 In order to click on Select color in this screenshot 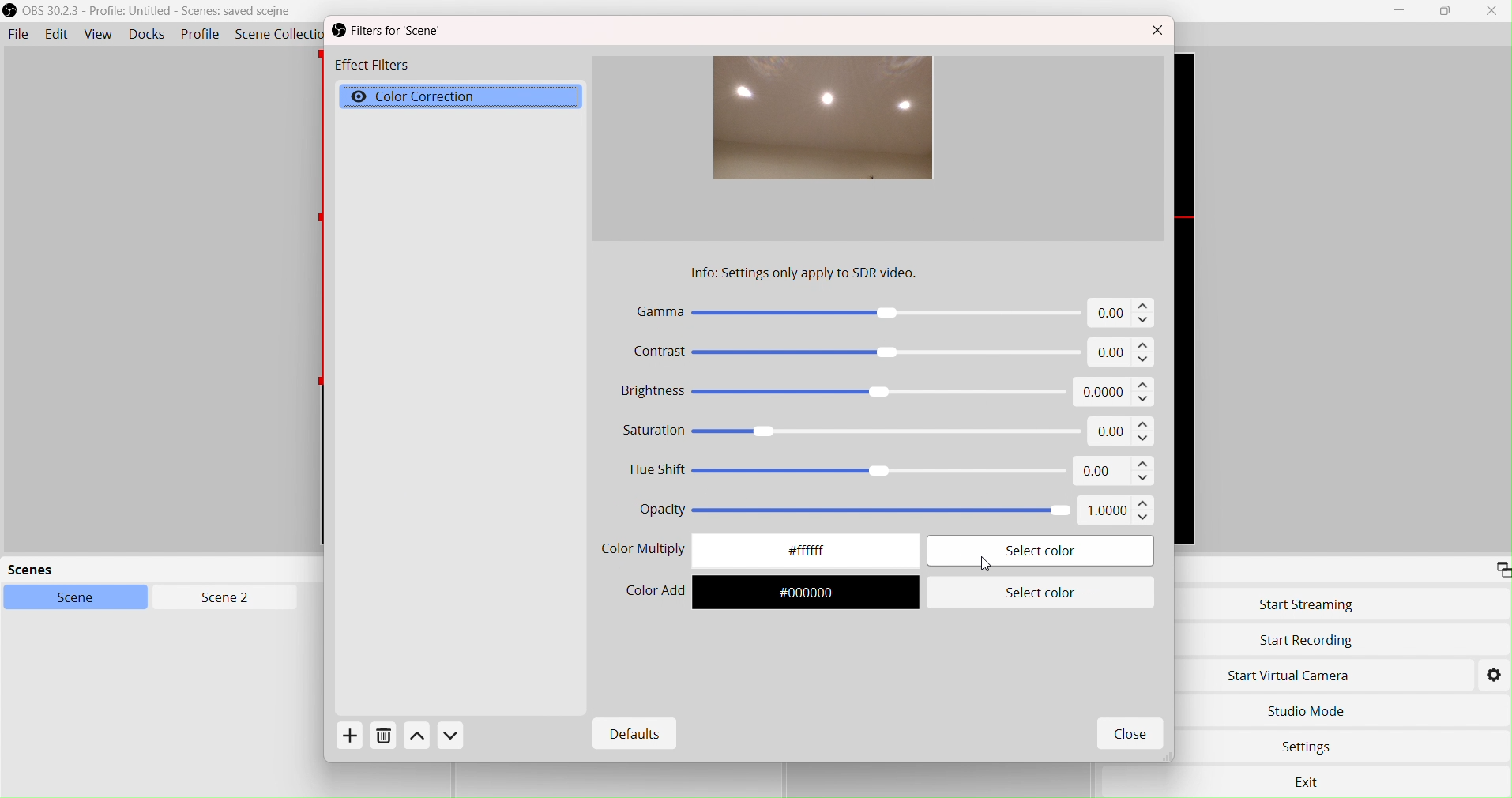, I will do `click(1048, 549)`.